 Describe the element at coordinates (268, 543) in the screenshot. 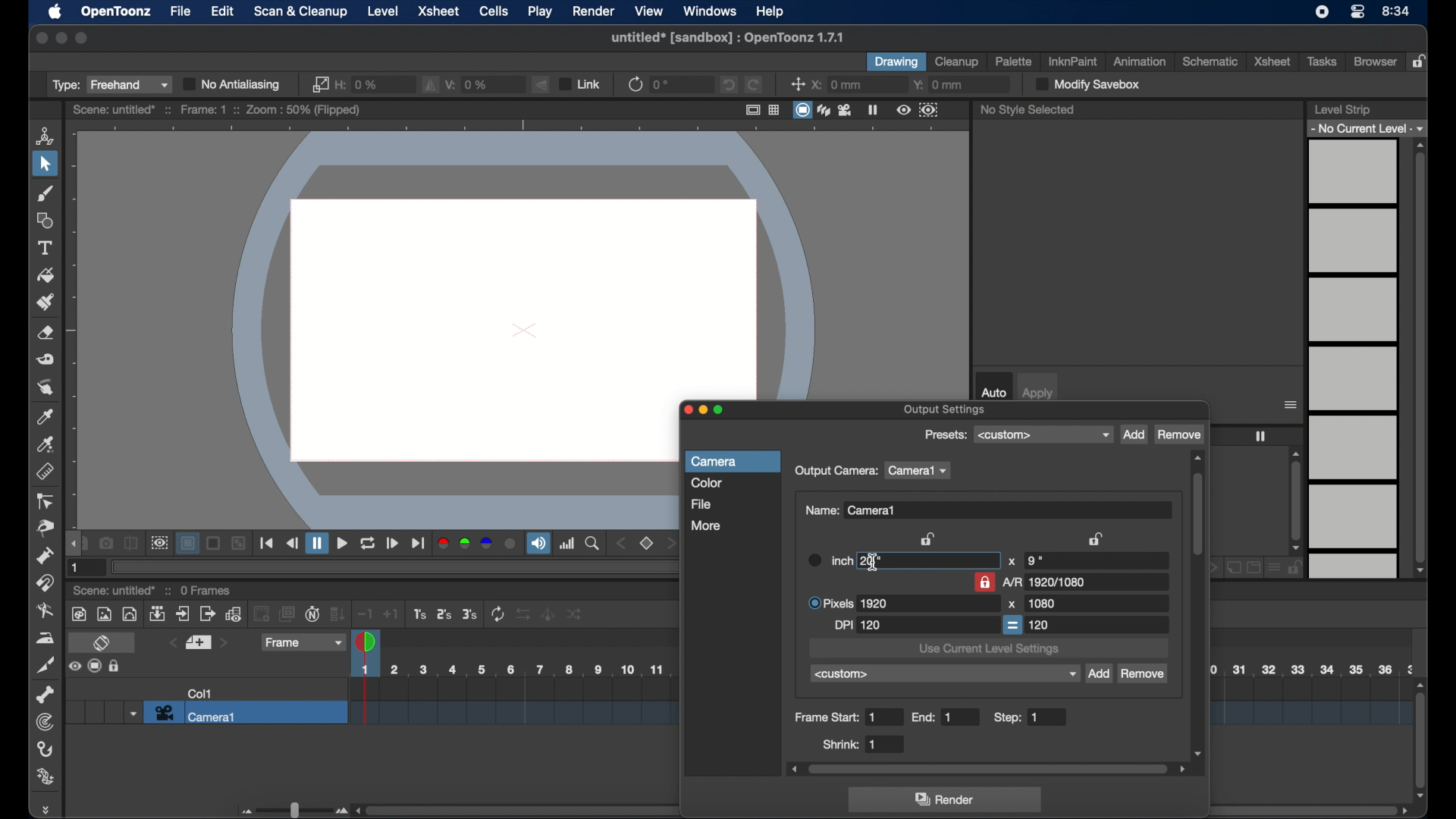

I see `playback controls` at that location.